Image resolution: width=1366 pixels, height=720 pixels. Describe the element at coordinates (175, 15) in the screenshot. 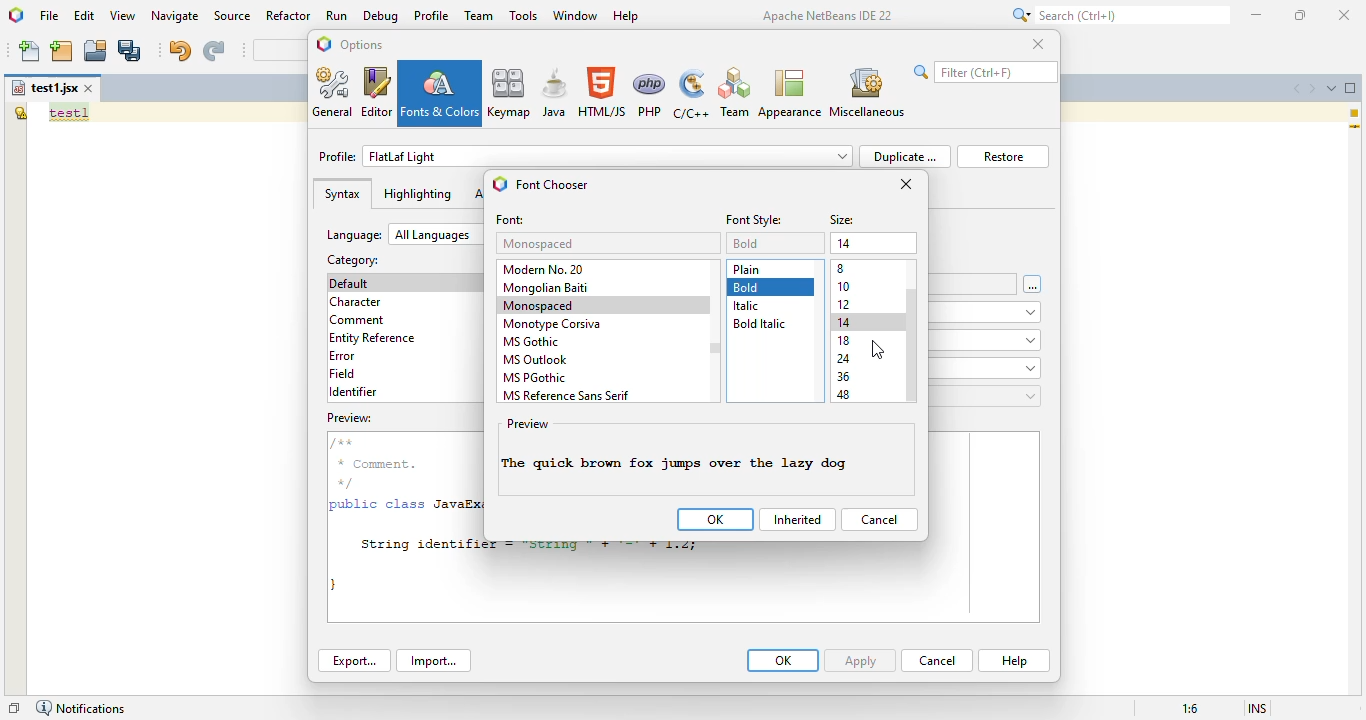

I see `navigate` at that location.